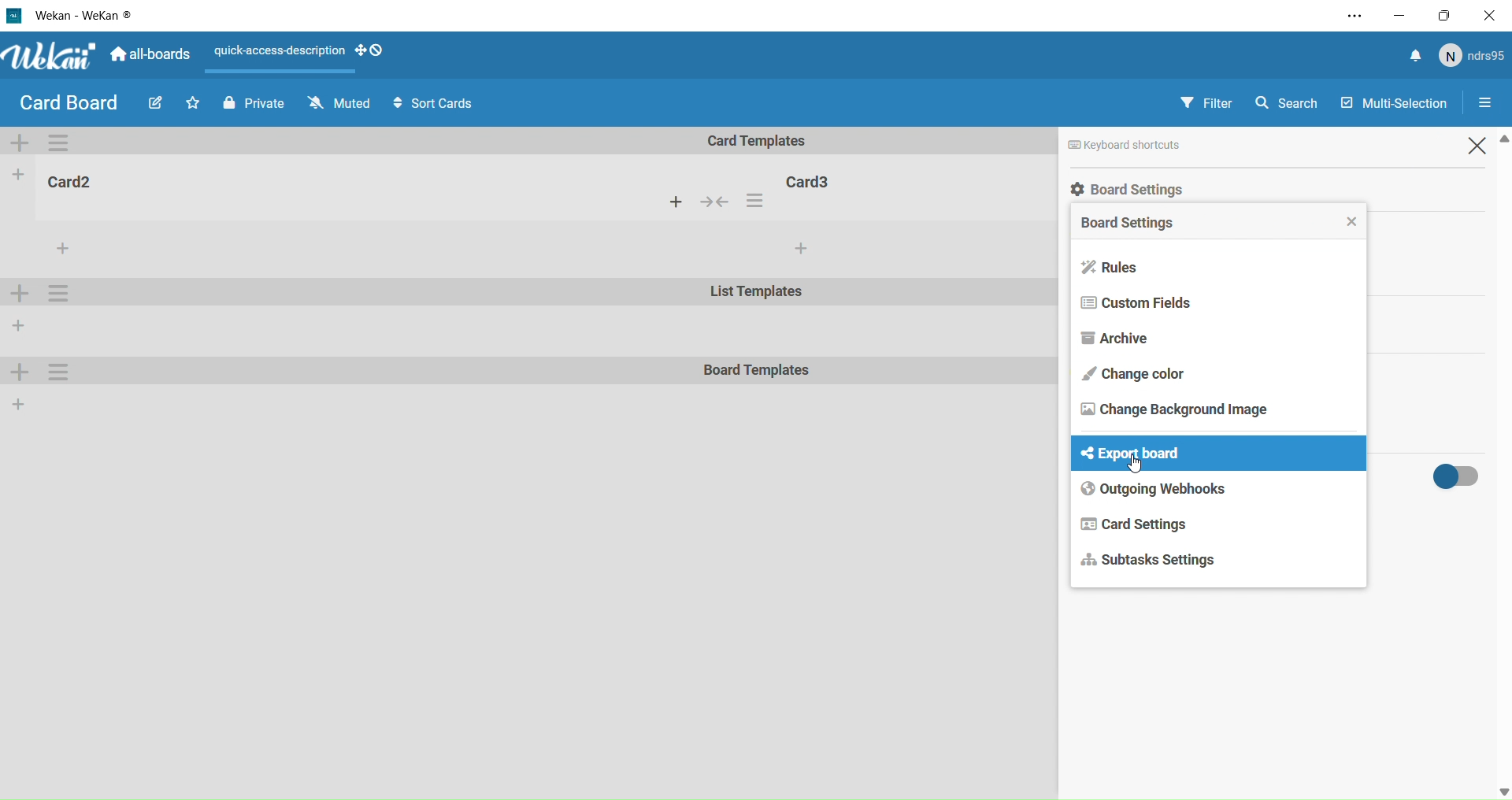 Image resolution: width=1512 pixels, height=800 pixels. I want to click on add, so click(800, 249).